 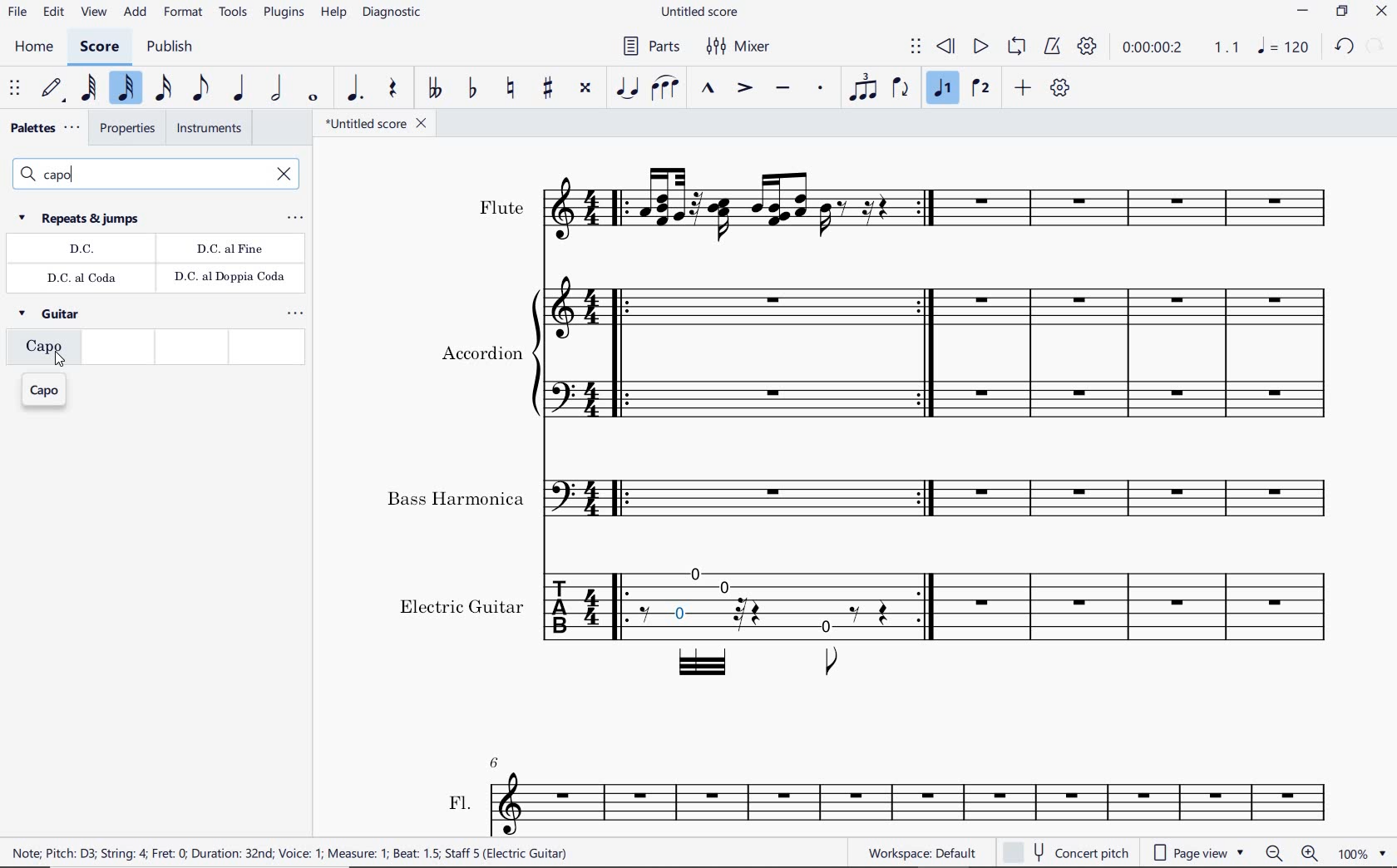 What do you see at coordinates (294, 219) in the screenshot?
I see `palette properties` at bounding box center [294, 219].